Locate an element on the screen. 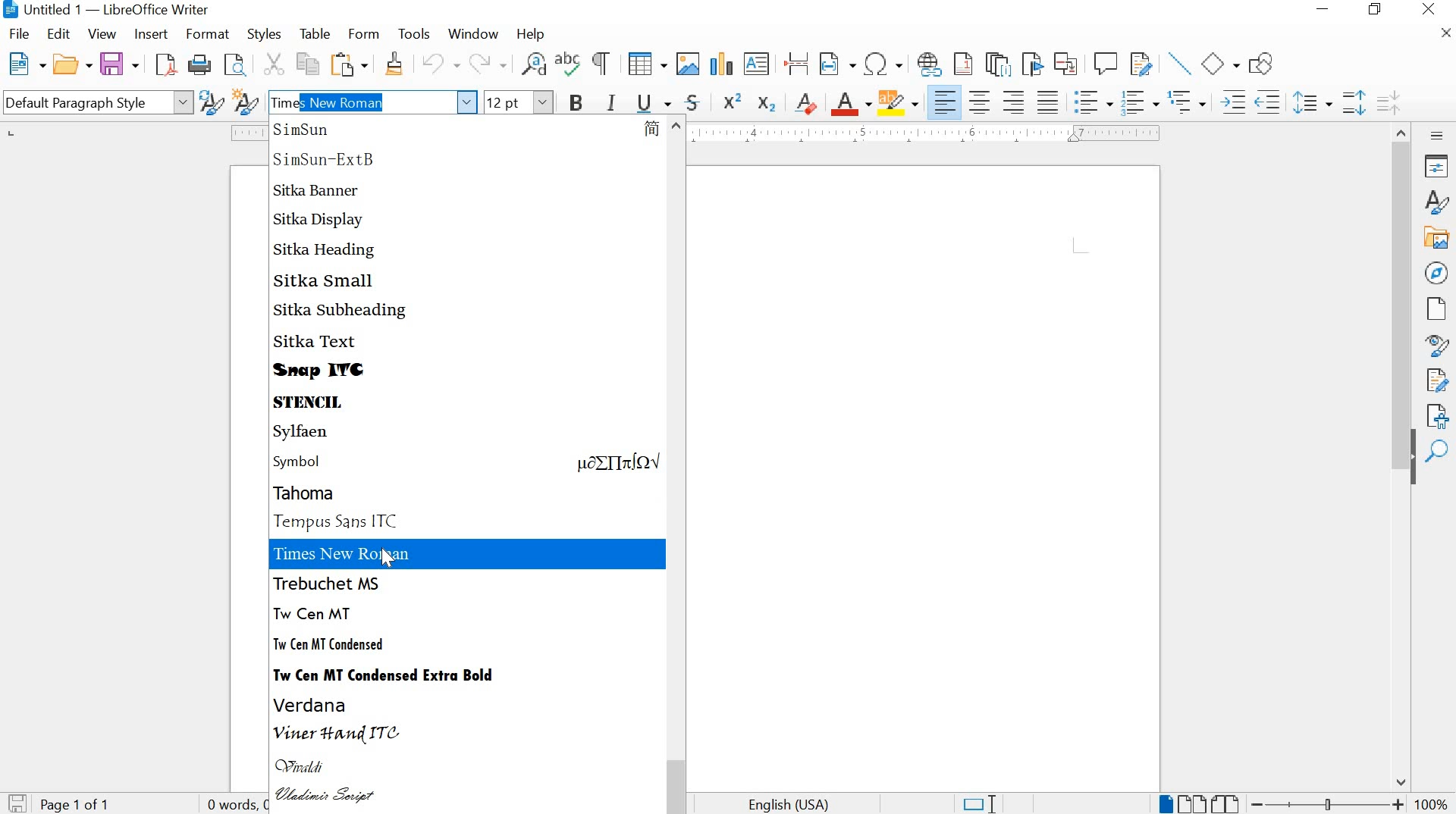 Image resolution: width=1456 pixels, height=814 pixels. JUSTIFIED is located at coordinates (1047, 99).